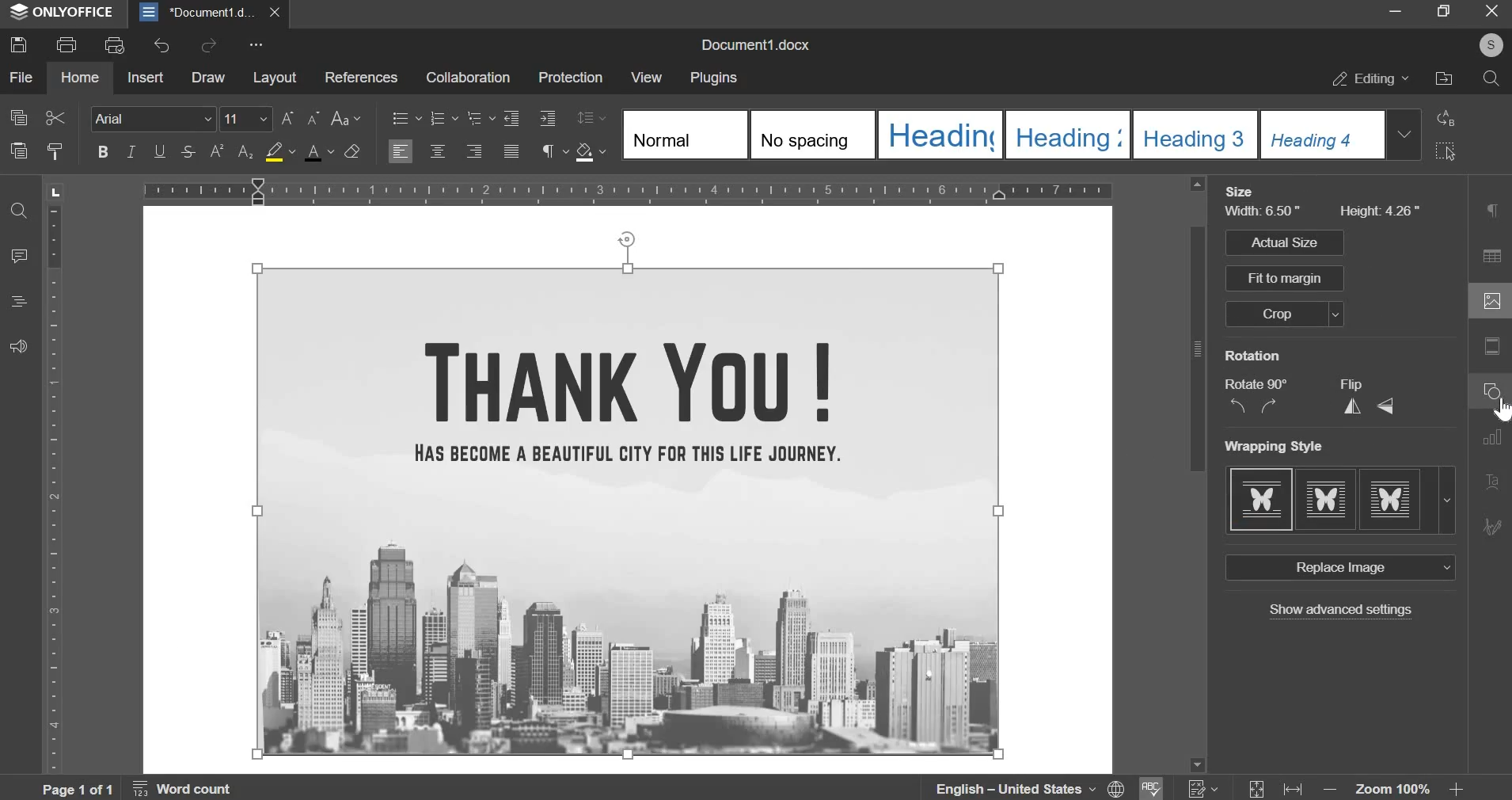 This screenshot has height=800, width=1512. I want to click on decremental font size, so click(315, 119).